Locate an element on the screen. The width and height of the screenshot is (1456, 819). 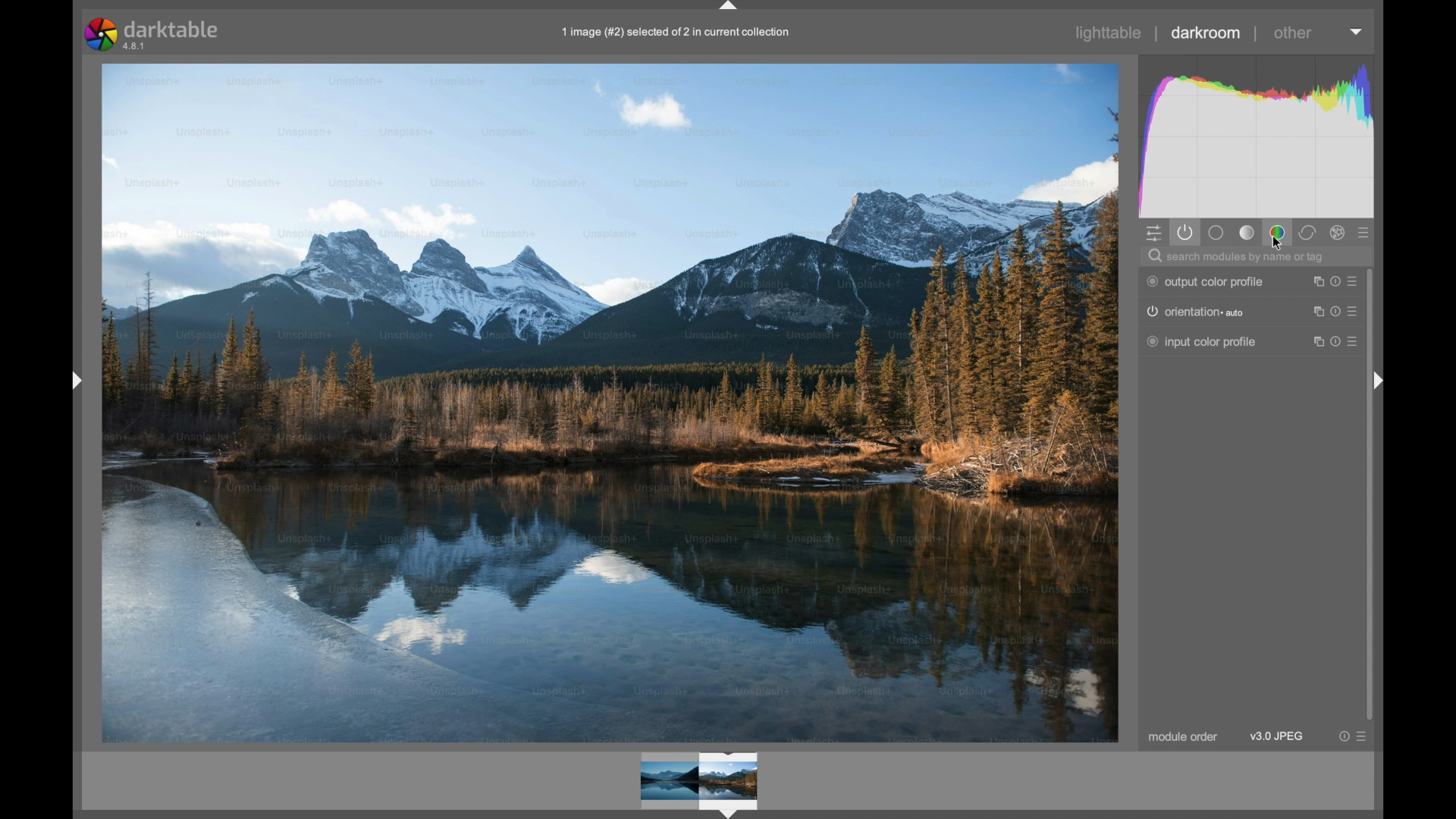
orientation auto is located at coordinates (1194, 312).